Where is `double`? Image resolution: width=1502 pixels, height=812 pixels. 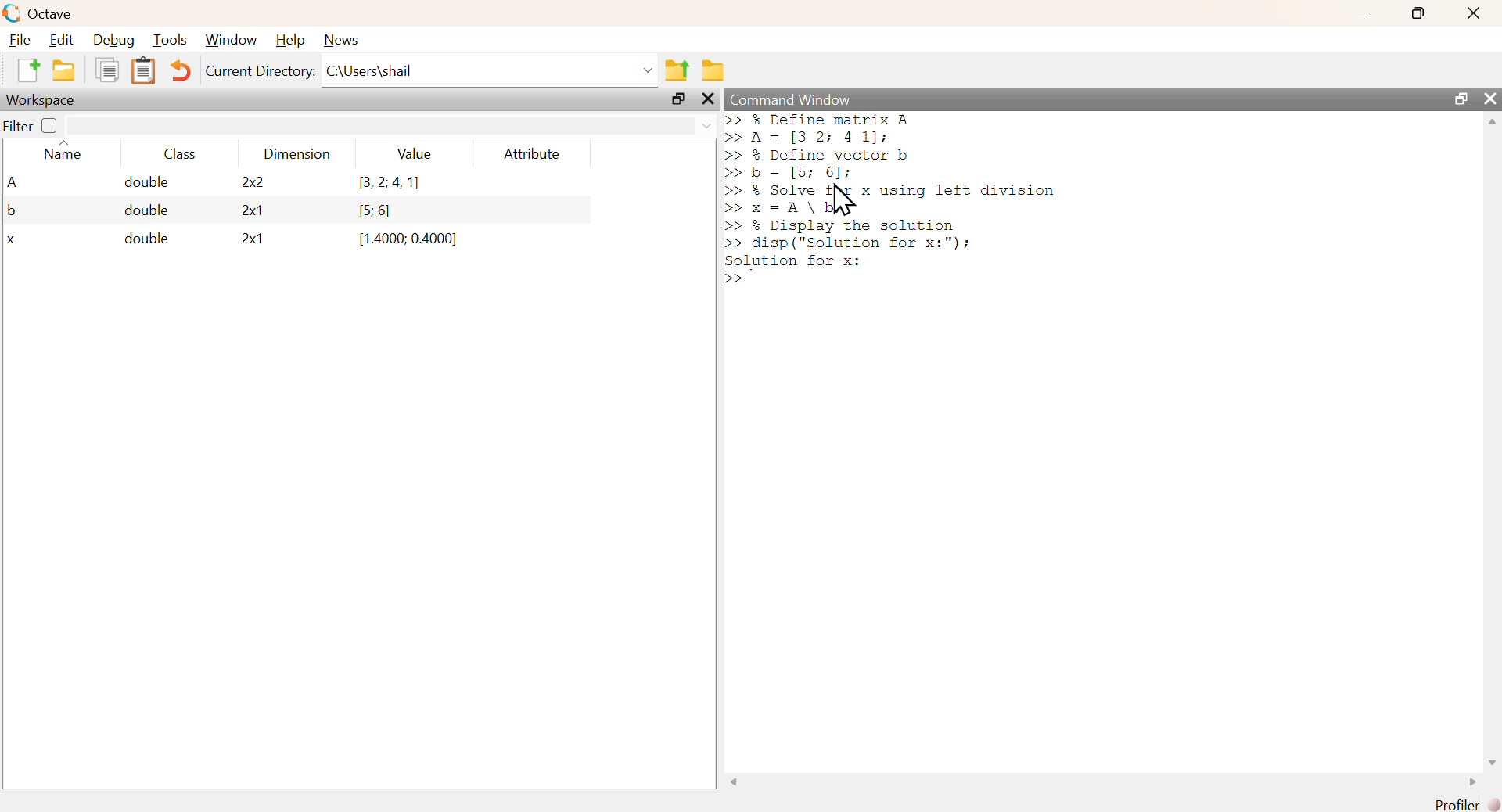 double is located at coordinates (135, 183).